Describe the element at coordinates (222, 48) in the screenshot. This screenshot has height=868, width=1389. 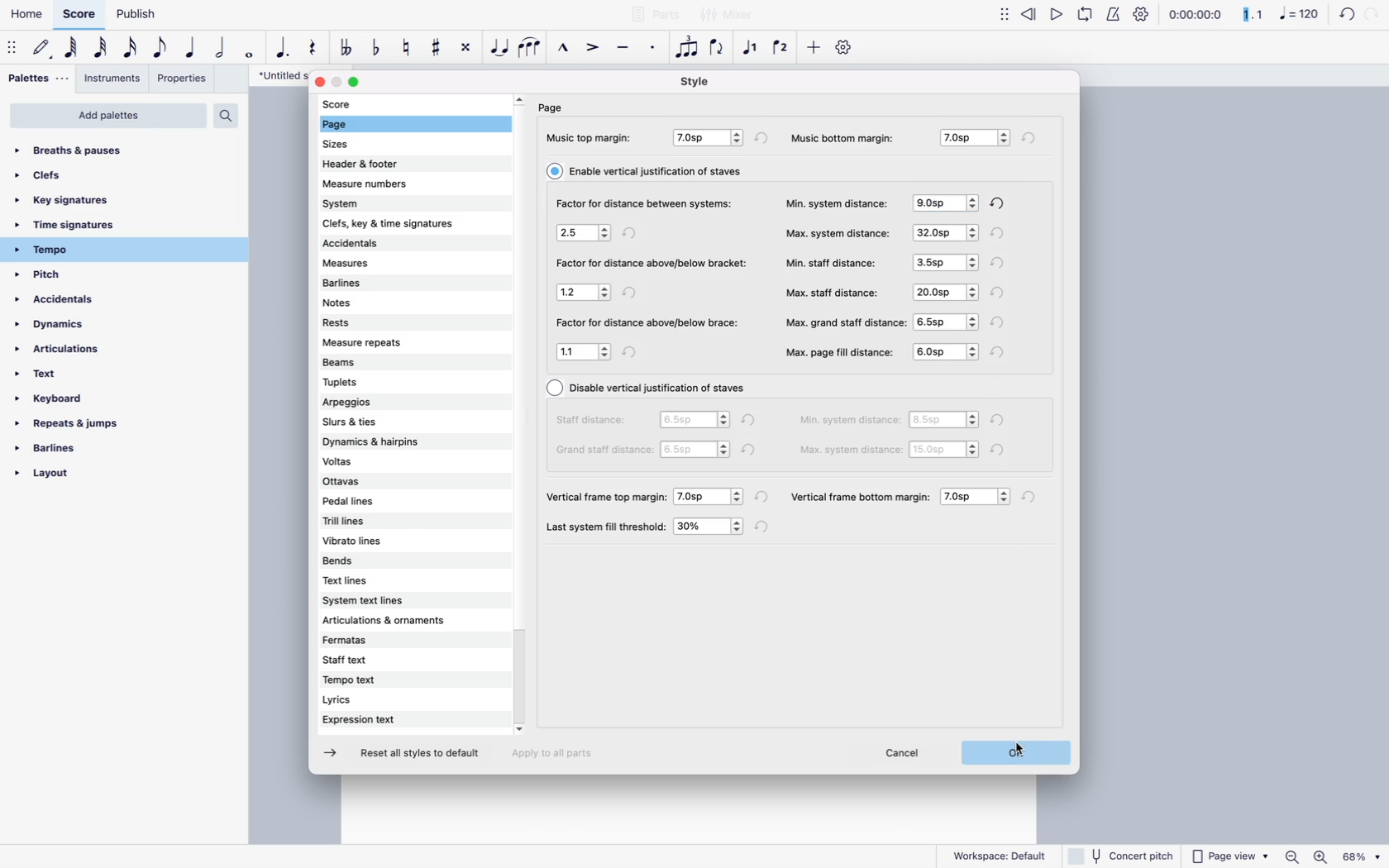
I see `half note` at that location.